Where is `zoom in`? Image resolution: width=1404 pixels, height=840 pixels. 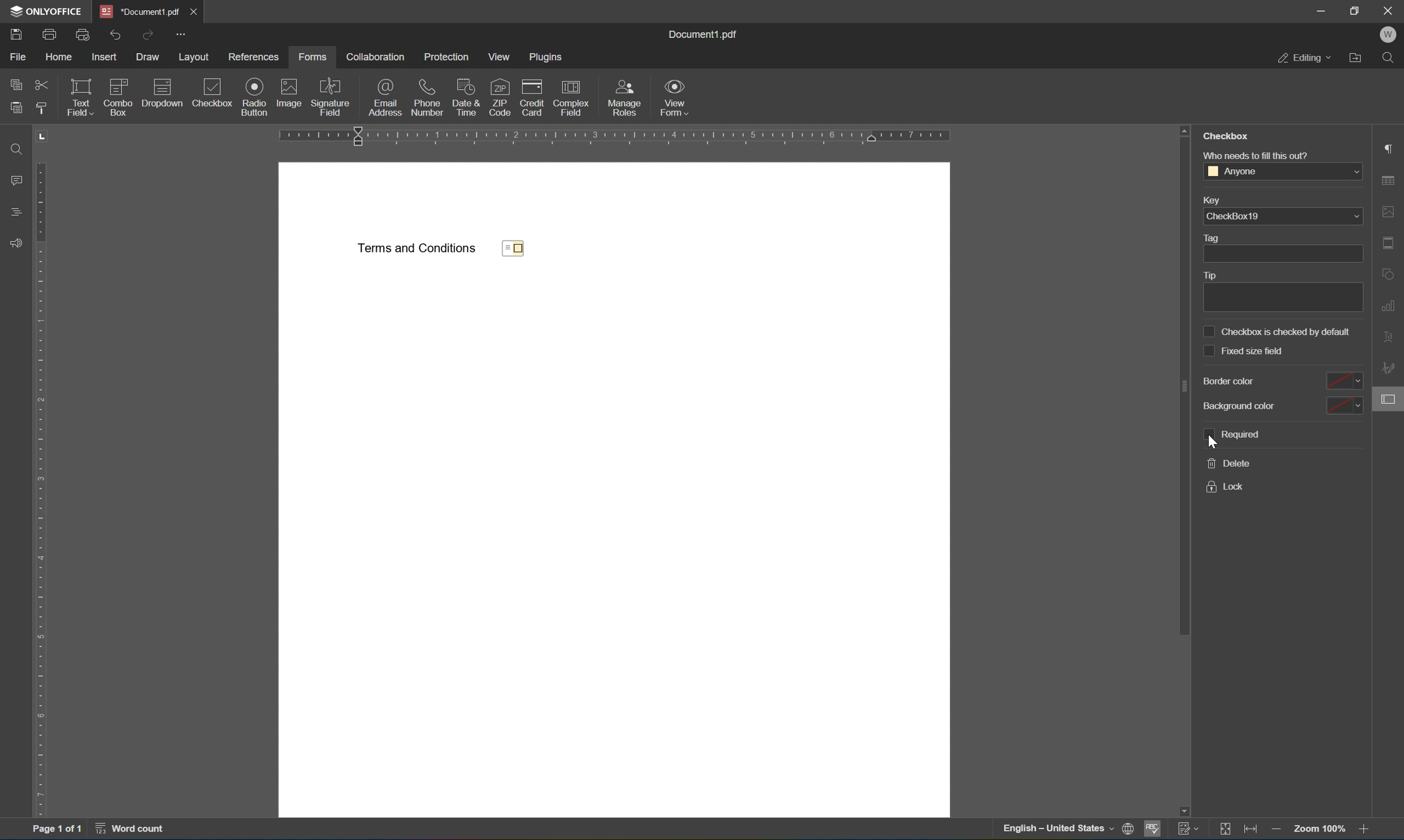 zoom in is located at coordinates (1366, 830).